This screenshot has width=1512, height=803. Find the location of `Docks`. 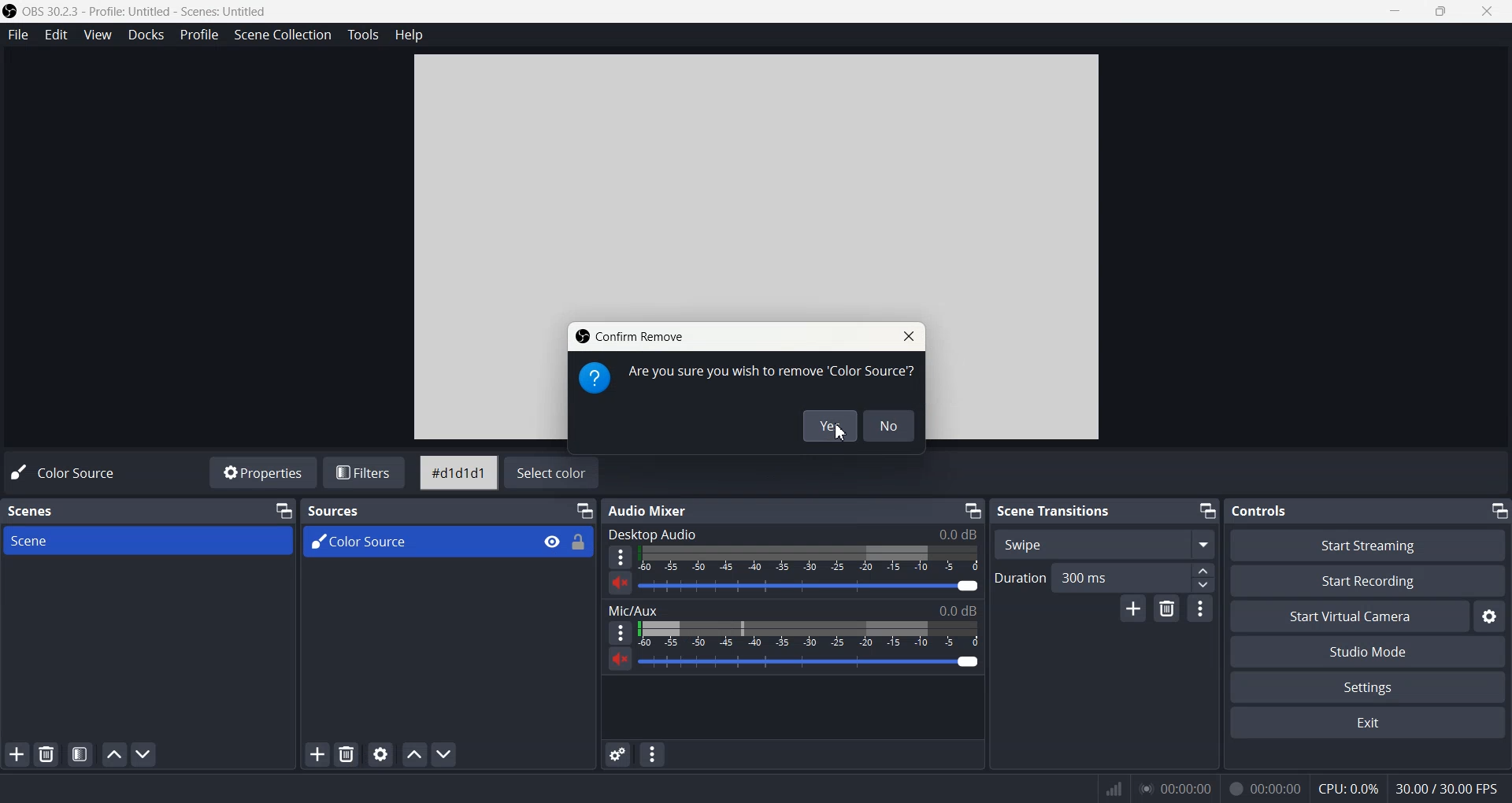

Docks is located at coordinates (146, 35).